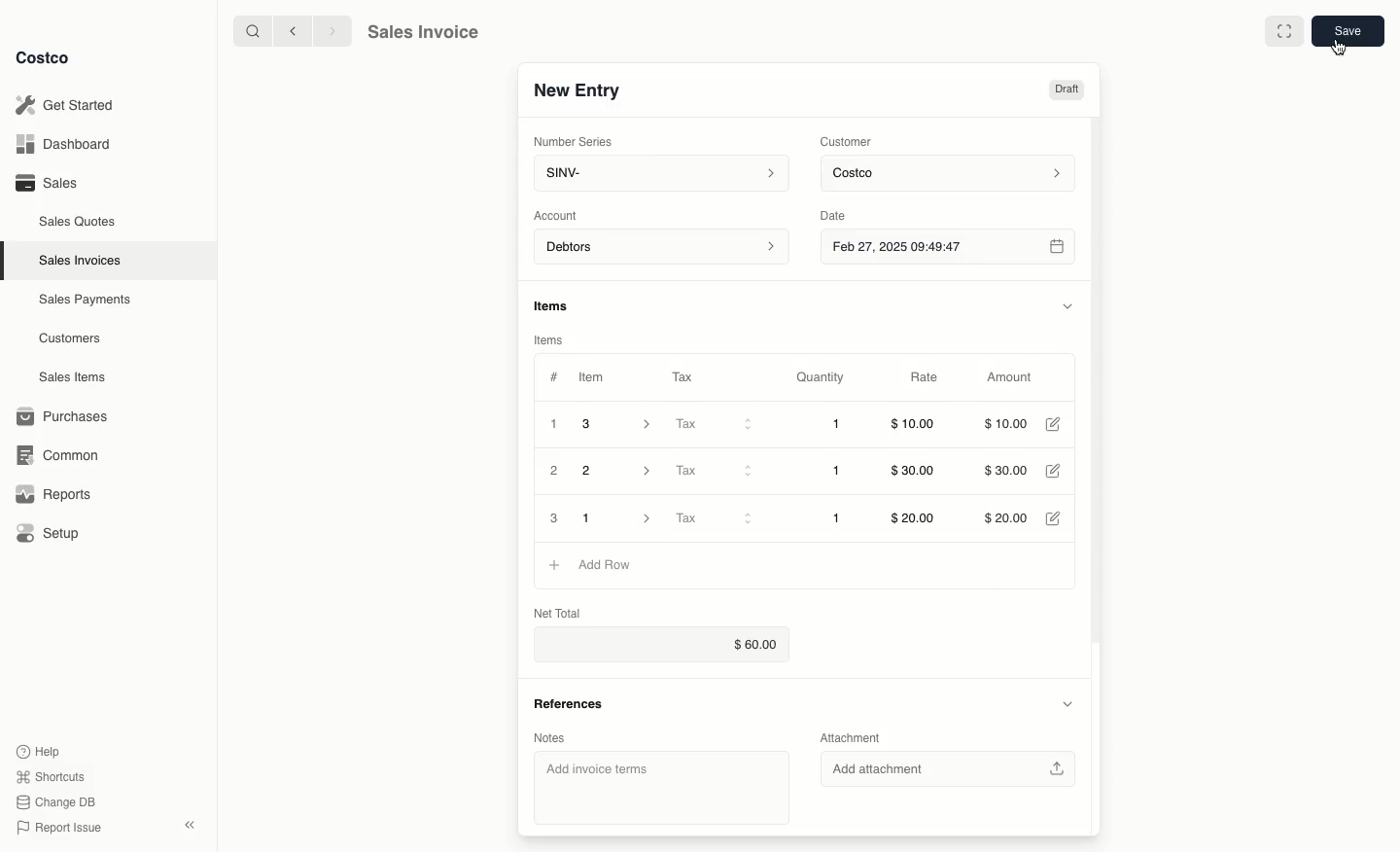 This screenshot has height=852, width=1400. I want to click on Edit, so click(1056, 424).